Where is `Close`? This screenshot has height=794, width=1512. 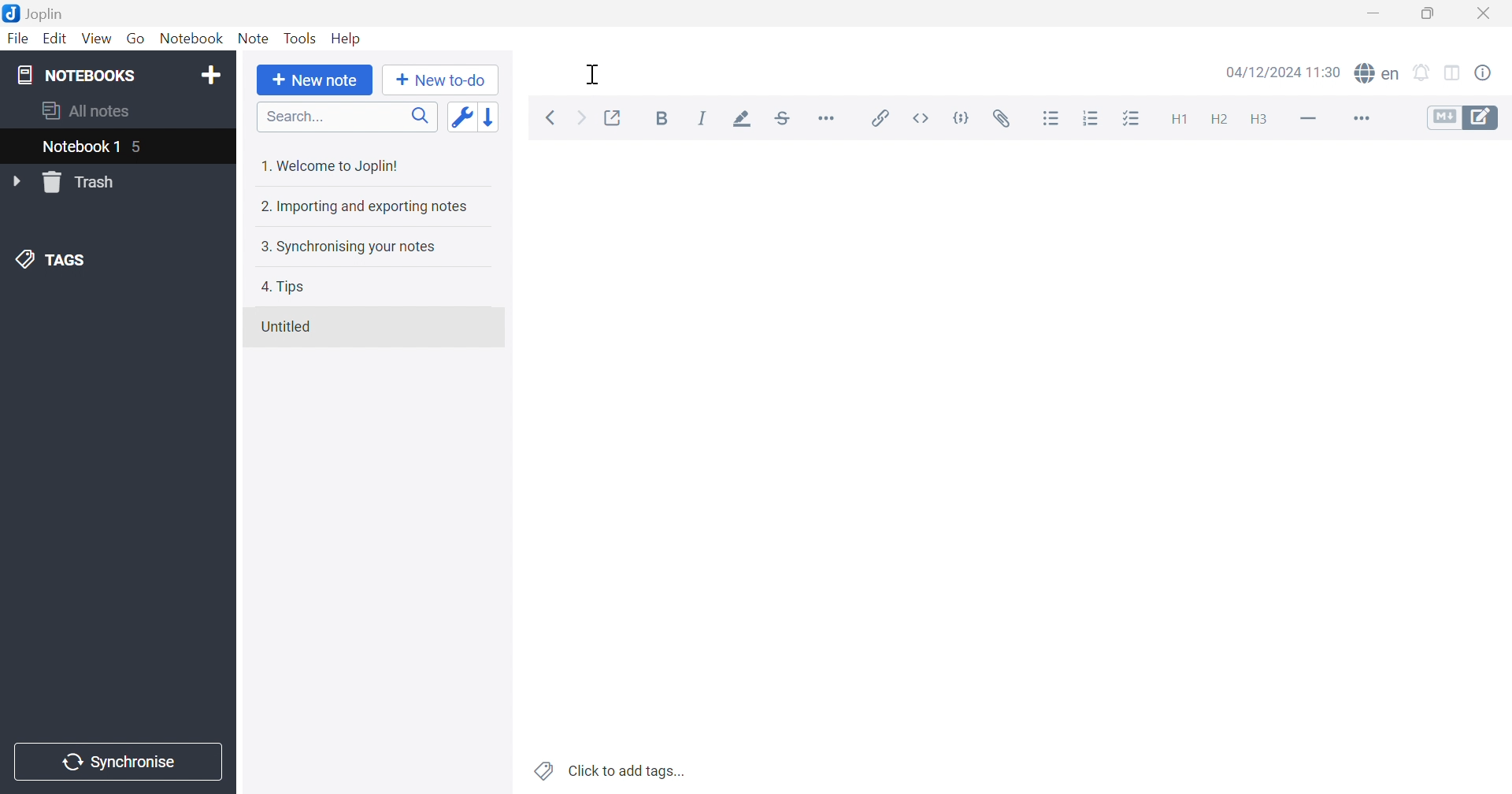 Close is located at coordinates (1483, 13).